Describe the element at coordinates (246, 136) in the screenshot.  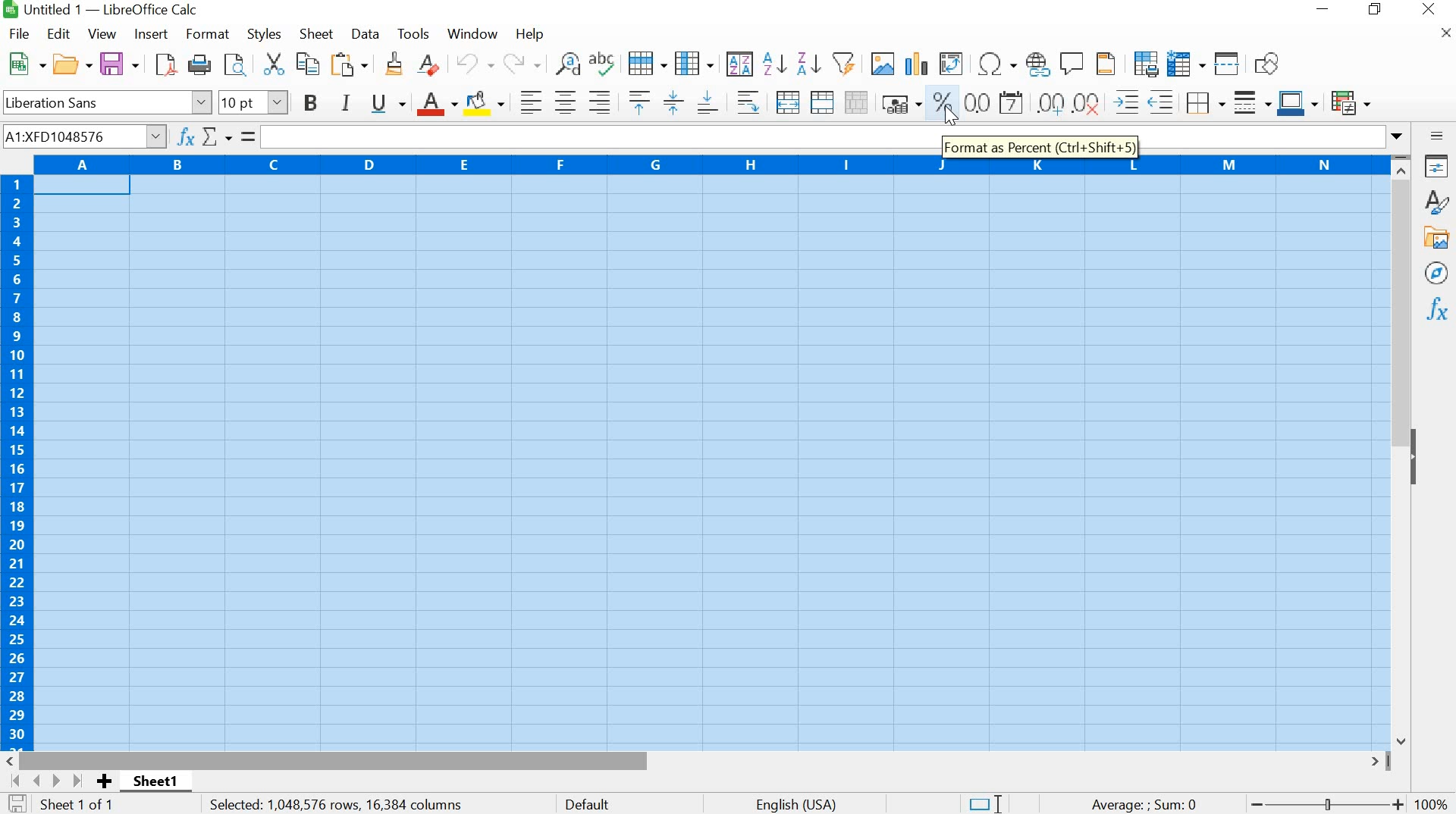
I see `formula` at that location.